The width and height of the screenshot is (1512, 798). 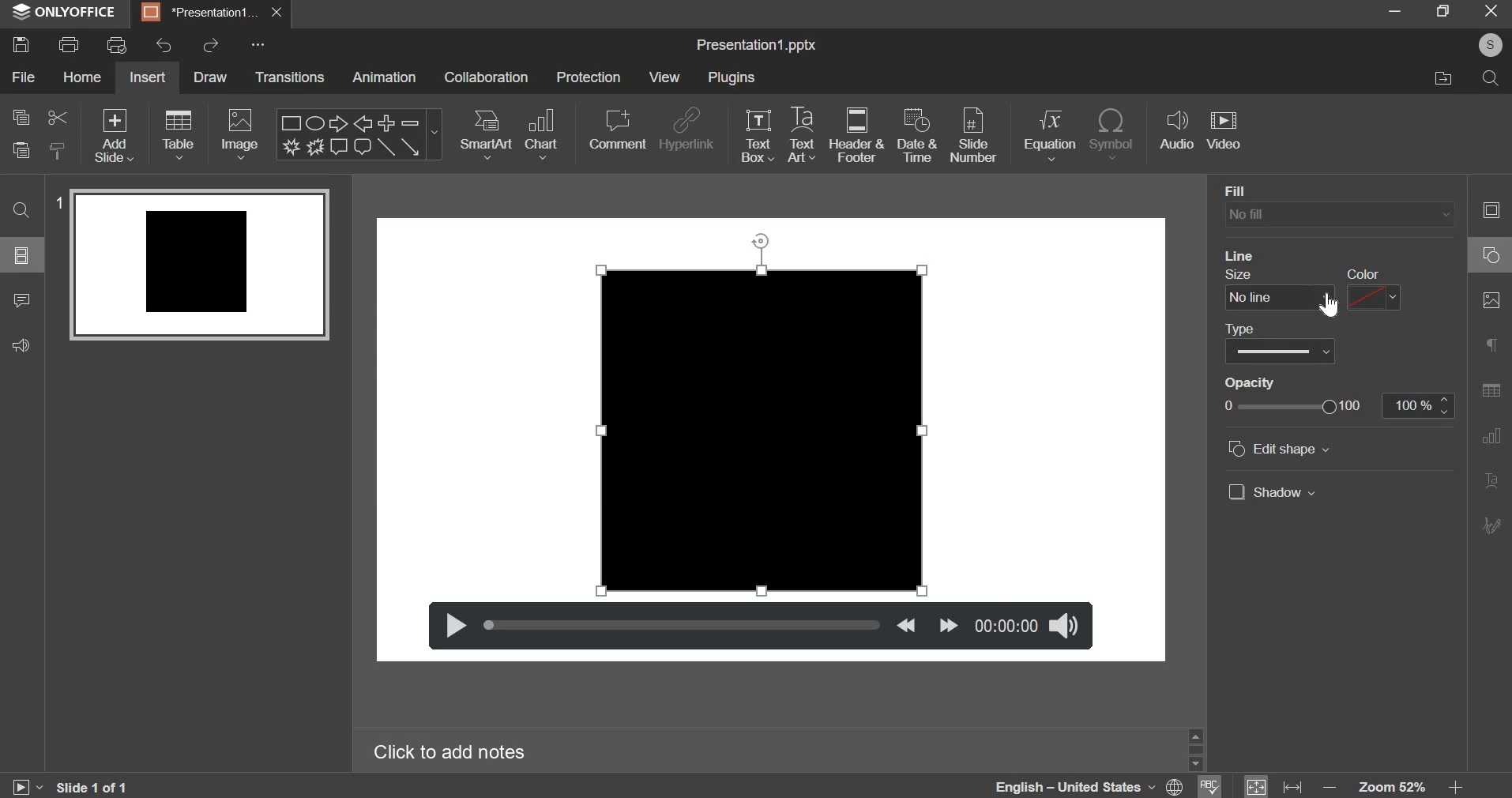 What do you see at coordinates (1489, 526) in the screenshot?
I see `Goback` at bounding box center [1489, 526].